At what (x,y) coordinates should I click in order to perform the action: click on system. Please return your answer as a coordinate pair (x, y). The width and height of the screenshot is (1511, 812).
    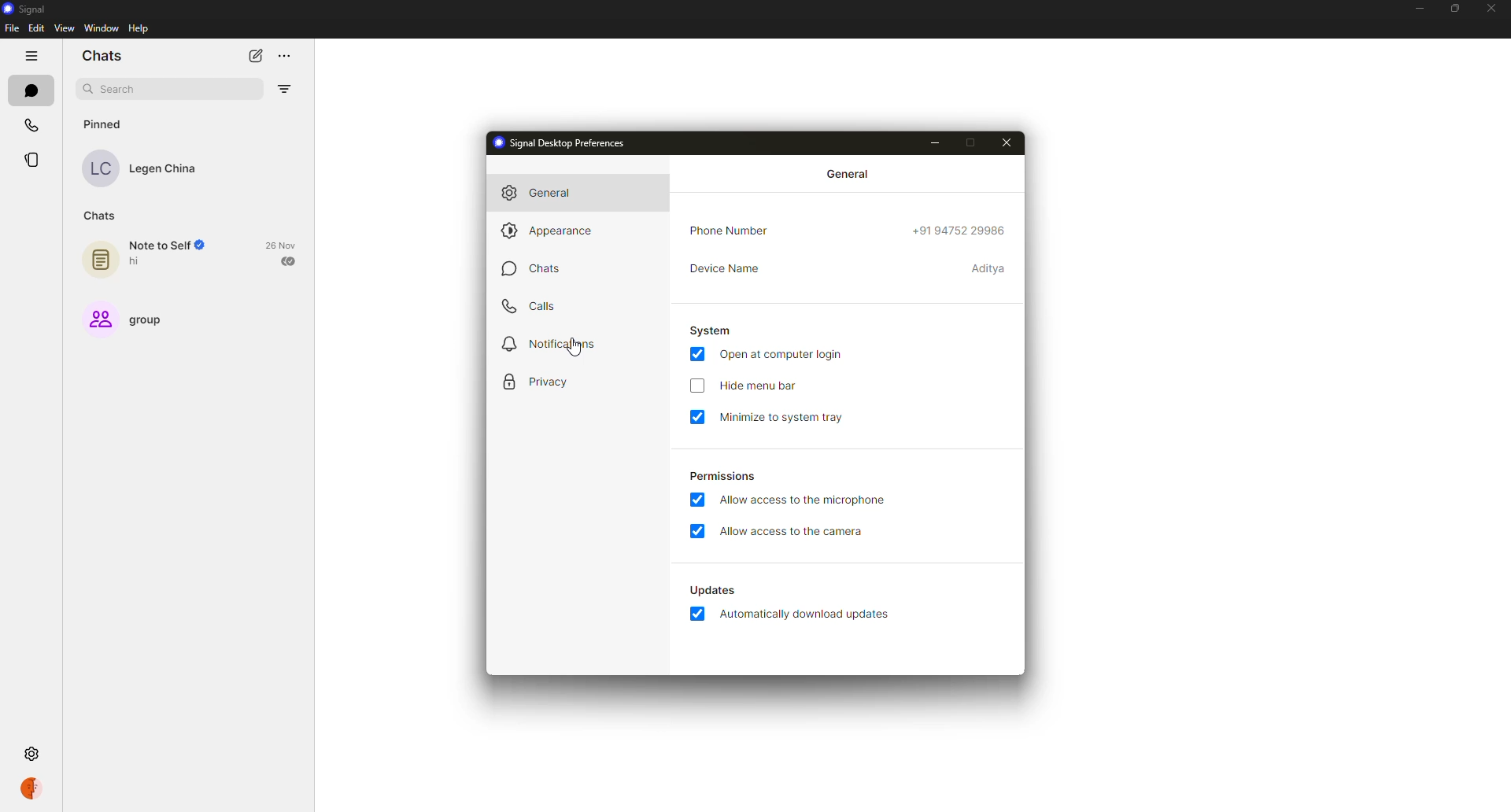
    Looking at the image, I should click on (713, 329).